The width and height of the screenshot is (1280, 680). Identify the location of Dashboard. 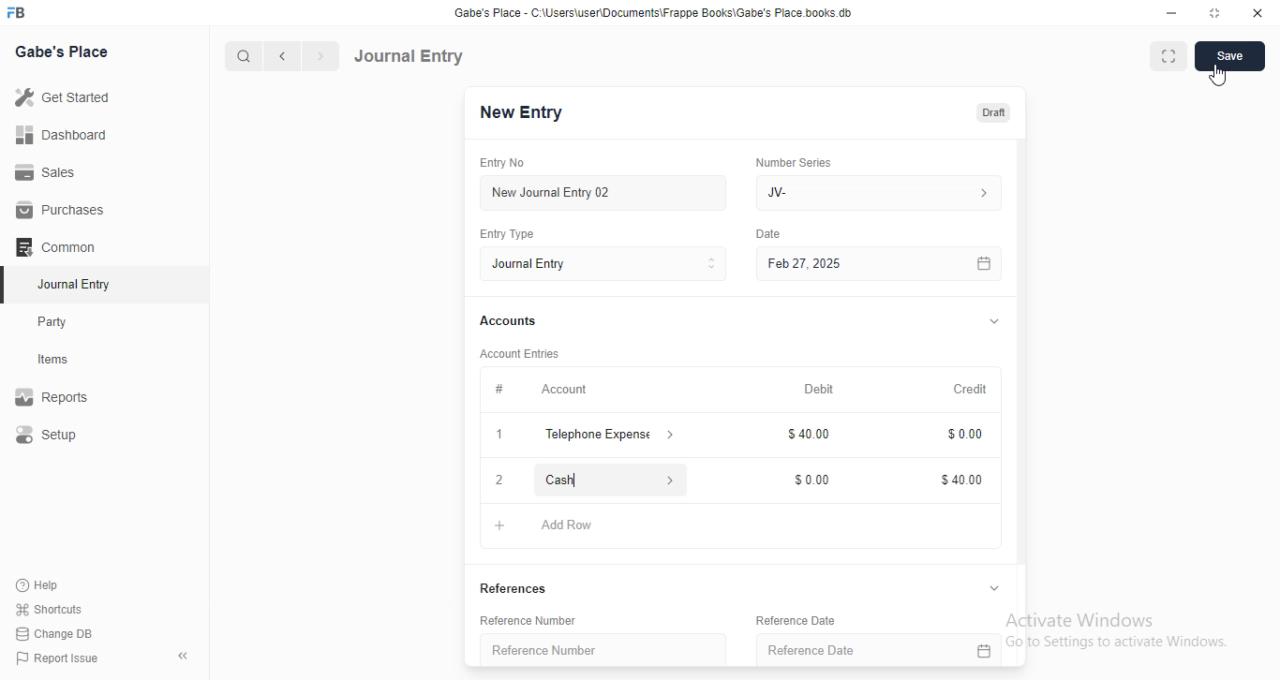
(62, 135).